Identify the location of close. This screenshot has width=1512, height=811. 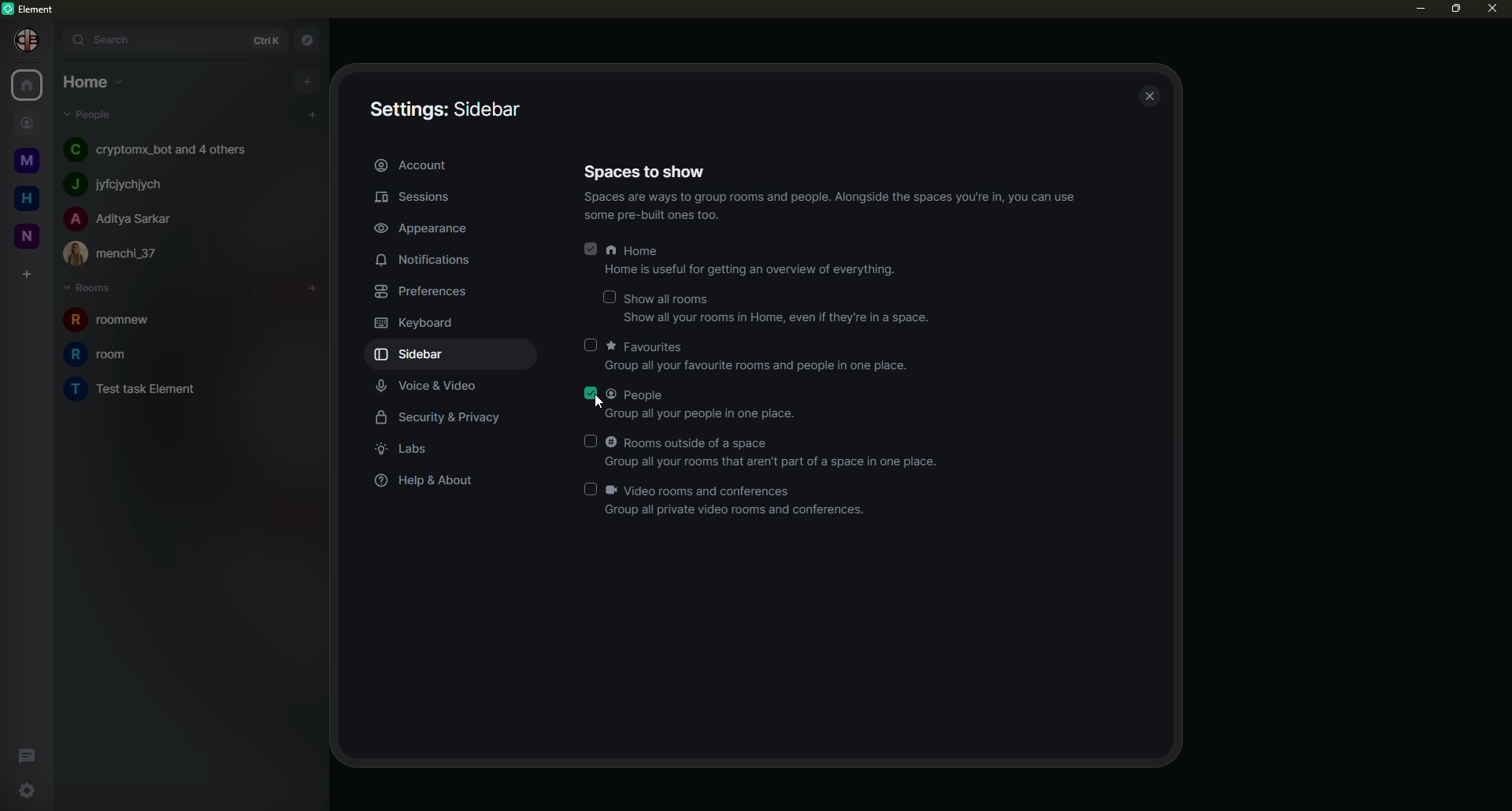
(1492, 9).